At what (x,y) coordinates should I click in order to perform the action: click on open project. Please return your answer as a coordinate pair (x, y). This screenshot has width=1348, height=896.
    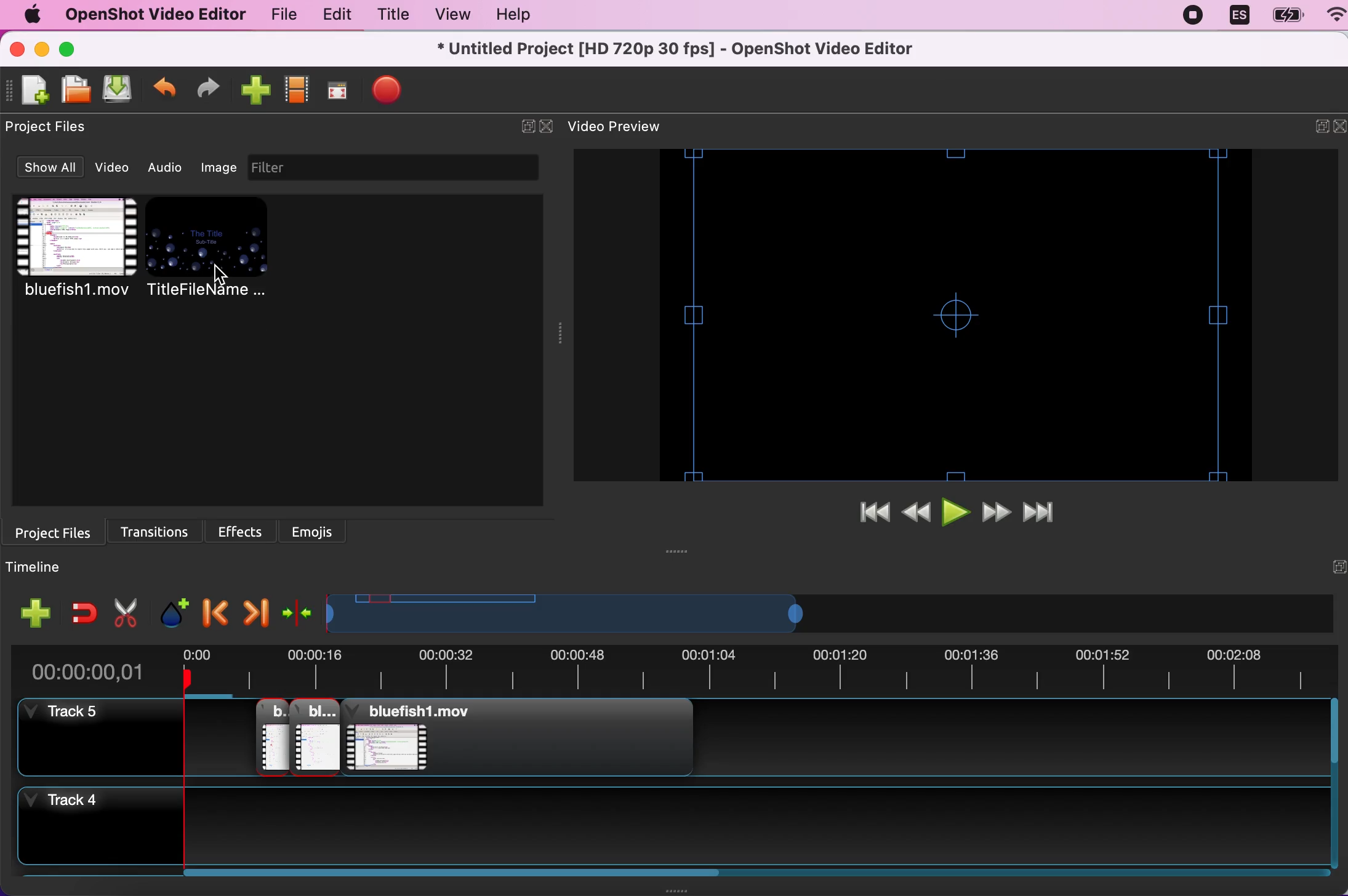
    Looking at the image, I should click on (74, 89).